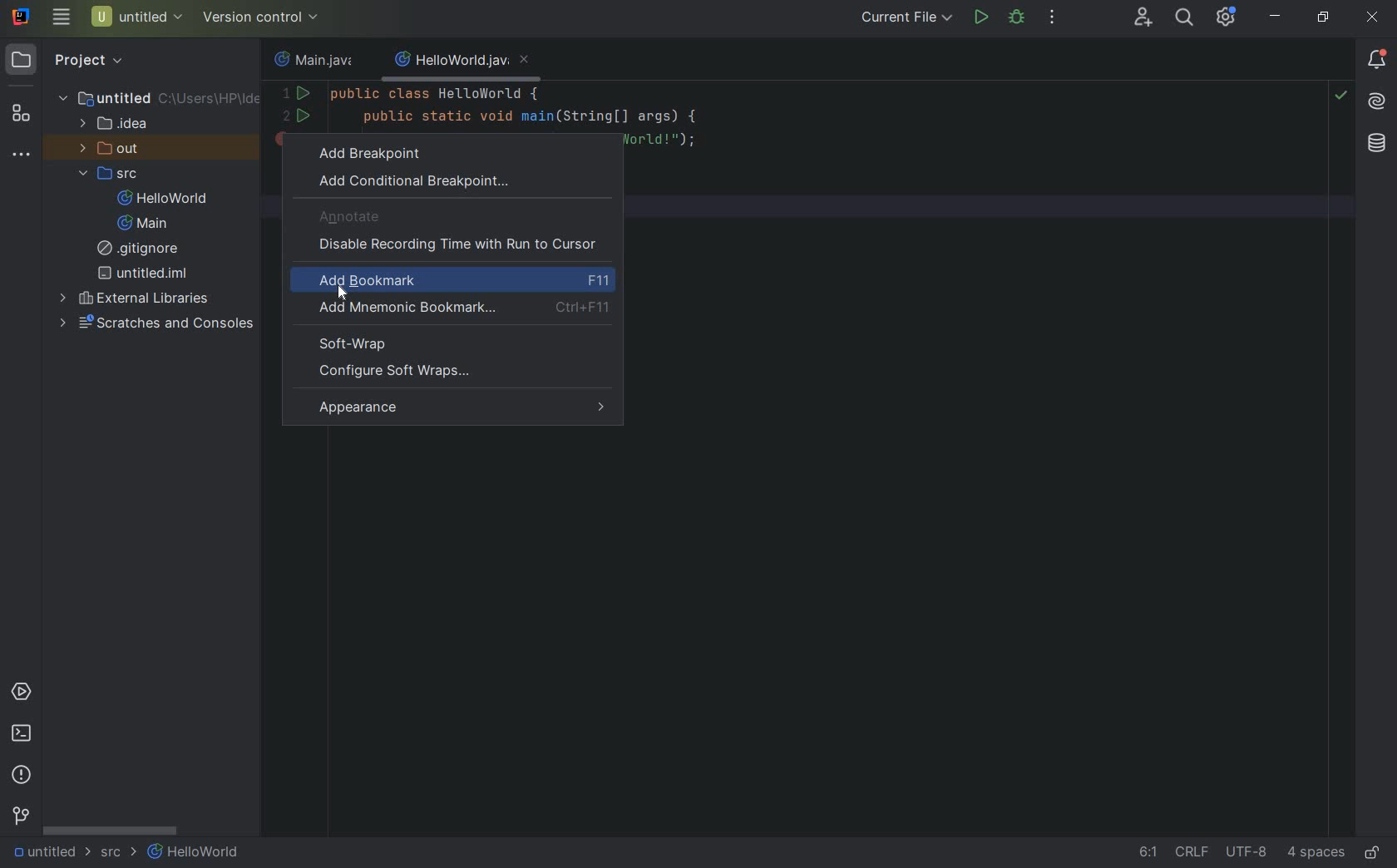 This screenshot has width=1397, height=868. What do you see at coordinates (352, 218) in the screenshot?
I see `annotate` at bounding box center [352, 218].